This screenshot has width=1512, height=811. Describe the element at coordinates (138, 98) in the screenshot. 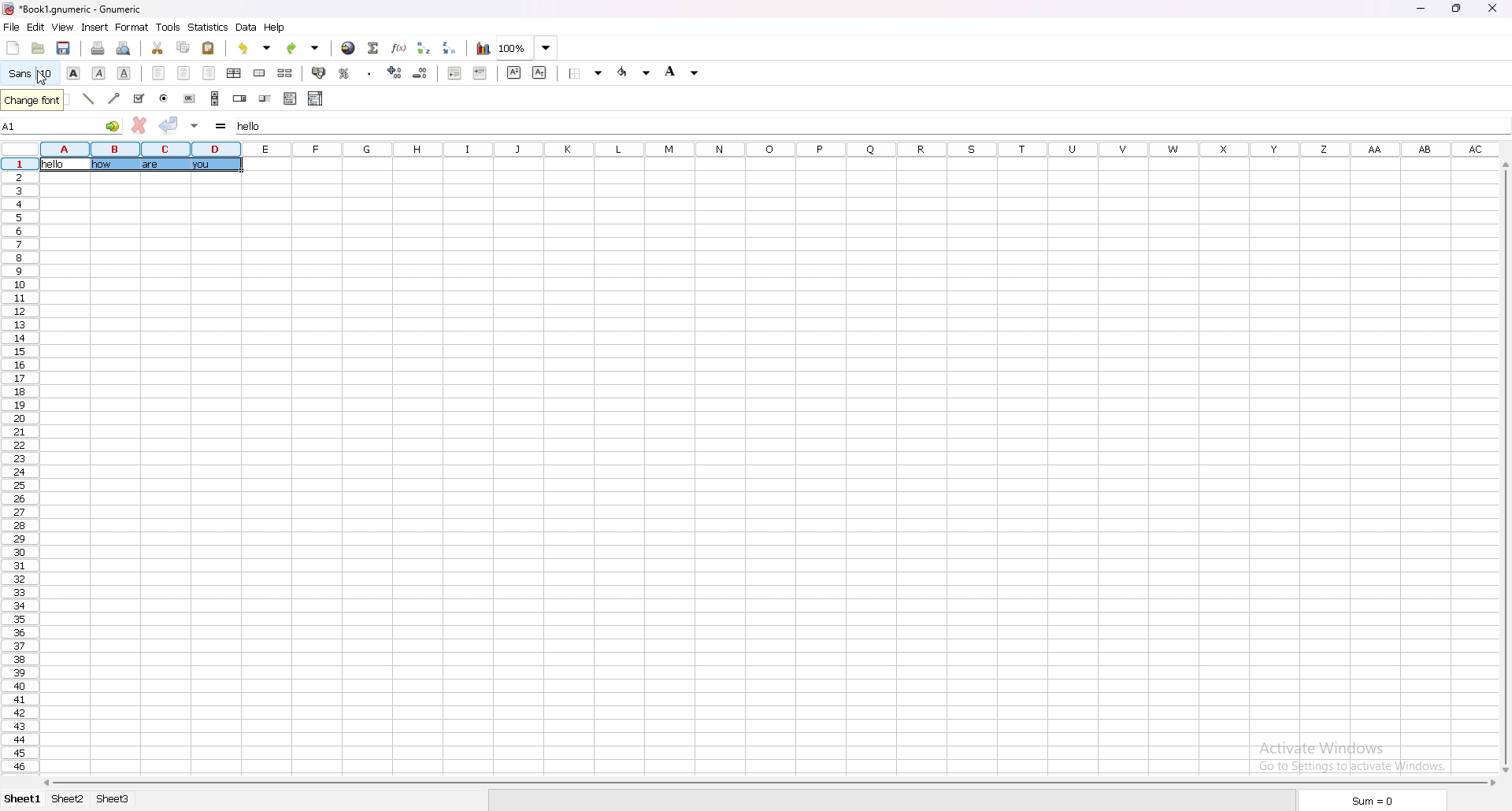

I see `tickbox` at that location.